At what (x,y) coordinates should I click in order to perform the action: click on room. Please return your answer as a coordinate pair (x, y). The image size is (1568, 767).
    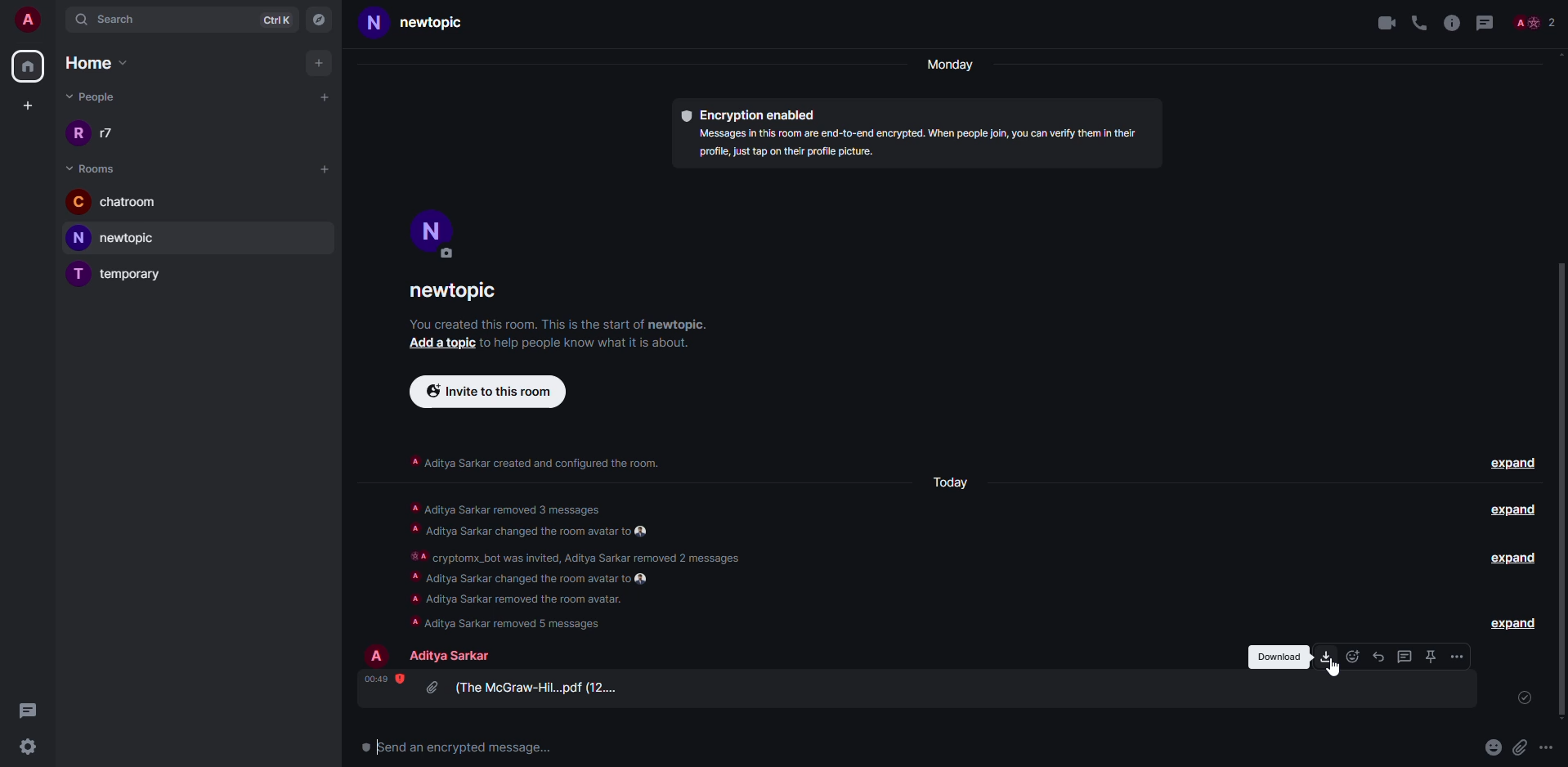
    Looking at the image, I should click on (468, 288).